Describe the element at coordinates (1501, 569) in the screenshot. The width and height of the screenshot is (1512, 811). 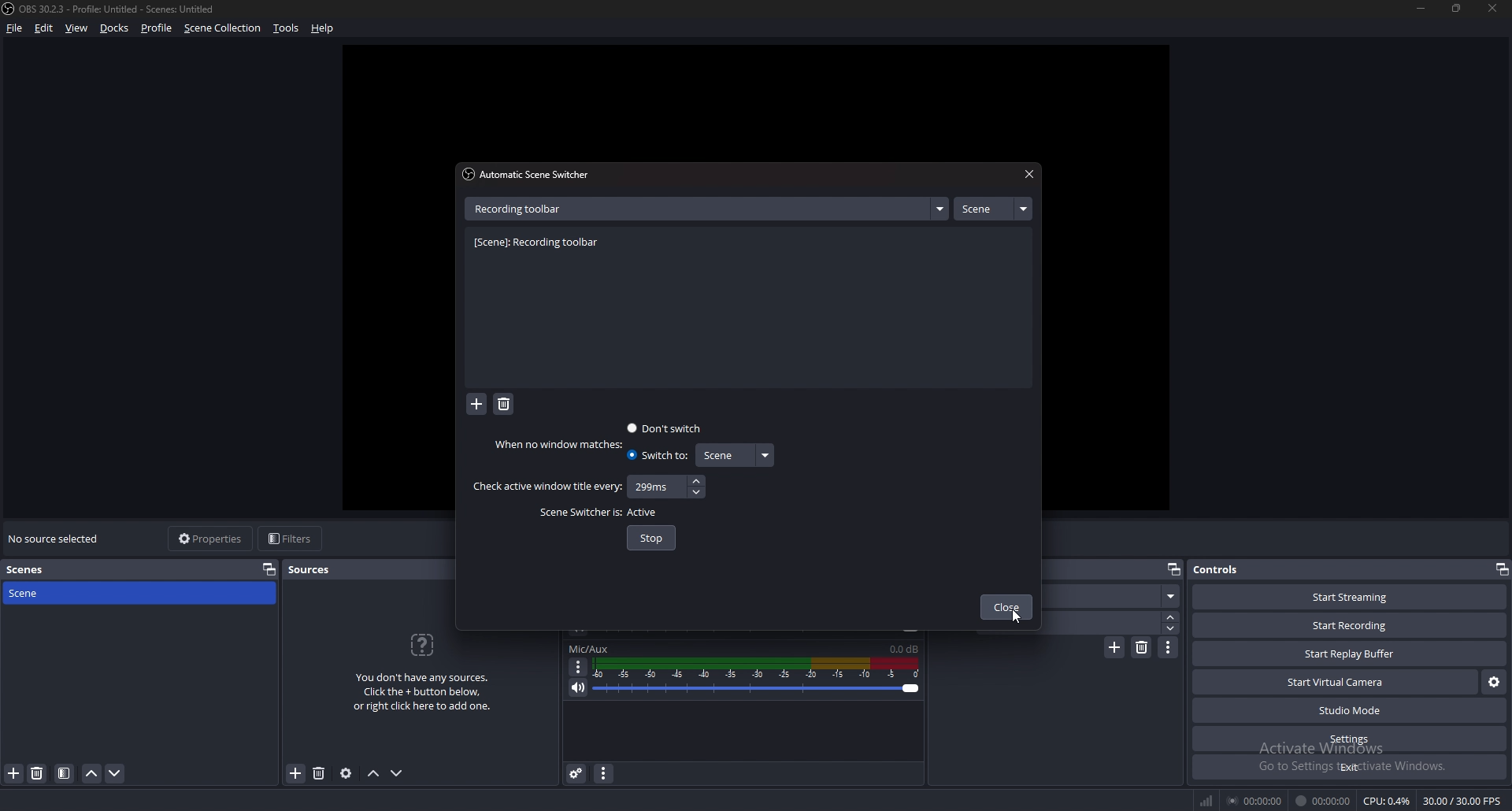
I see `pop out` at that location.